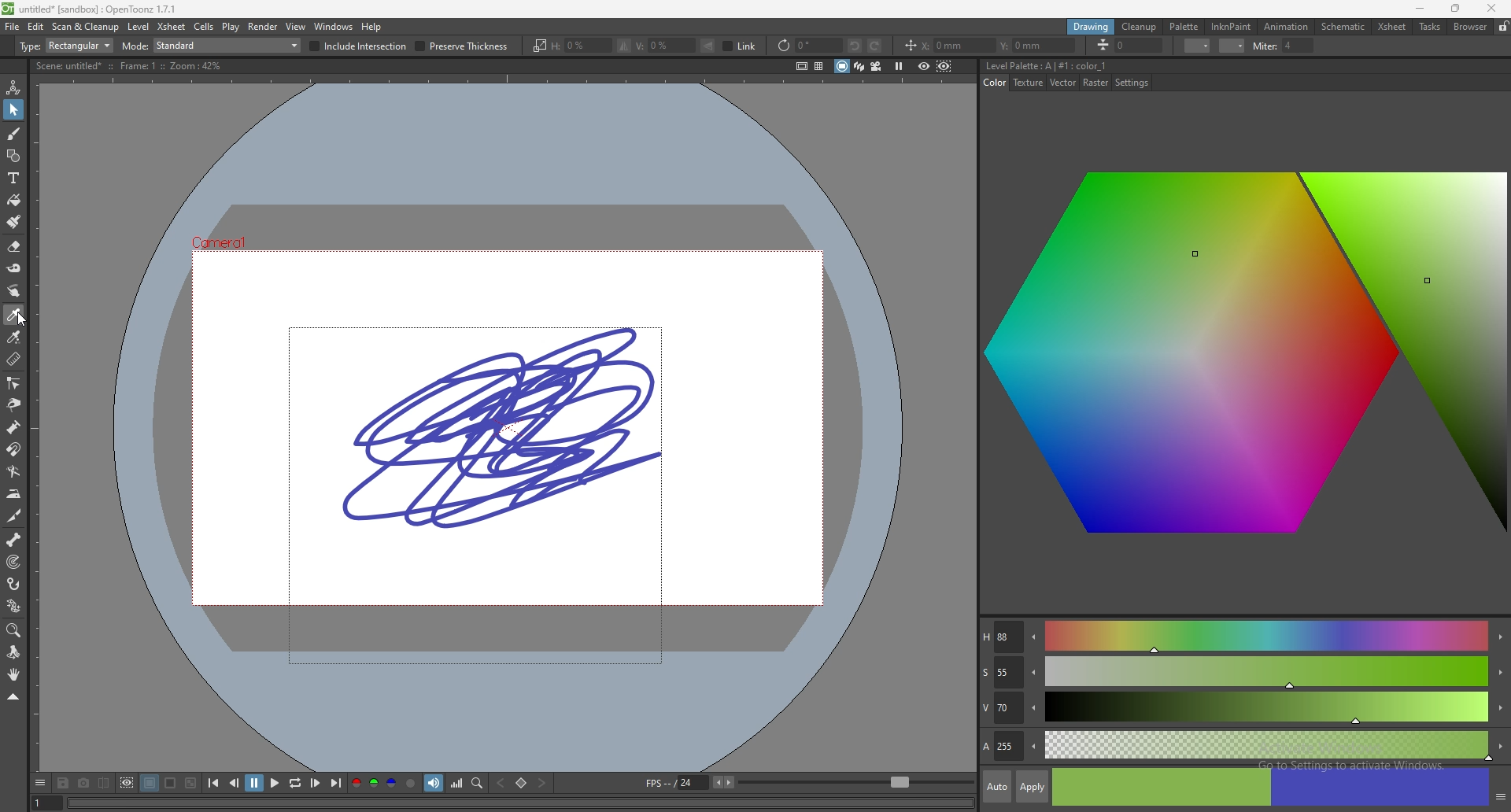 The width and height of the screenshot is (1511, 812). I want to click on next frame, so click(315, 782).